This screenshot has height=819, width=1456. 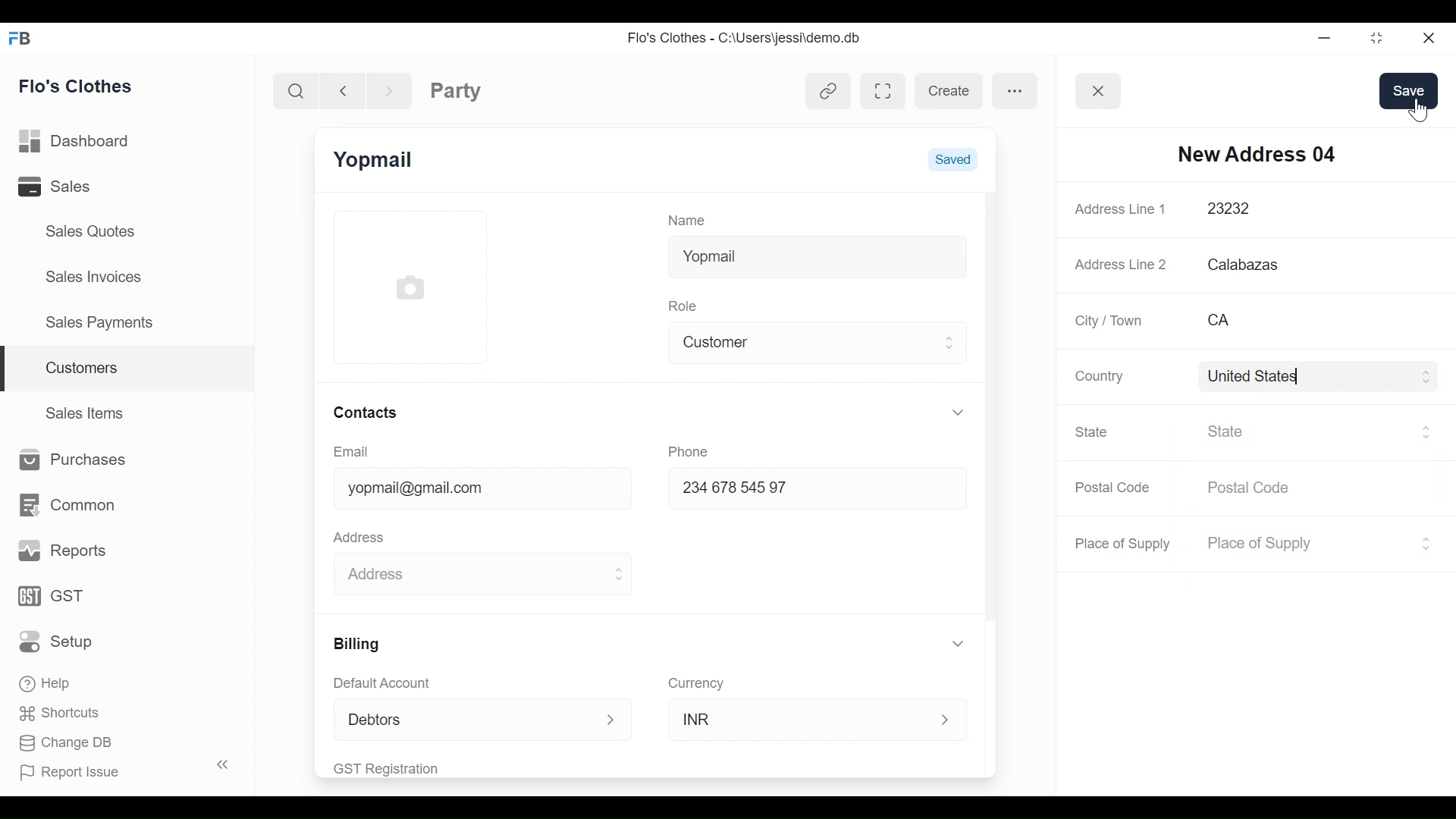 What do you see at coordinates (96, 275) in the screenshot?
I see `Sales Invoices` at bounding box center [96, 275].